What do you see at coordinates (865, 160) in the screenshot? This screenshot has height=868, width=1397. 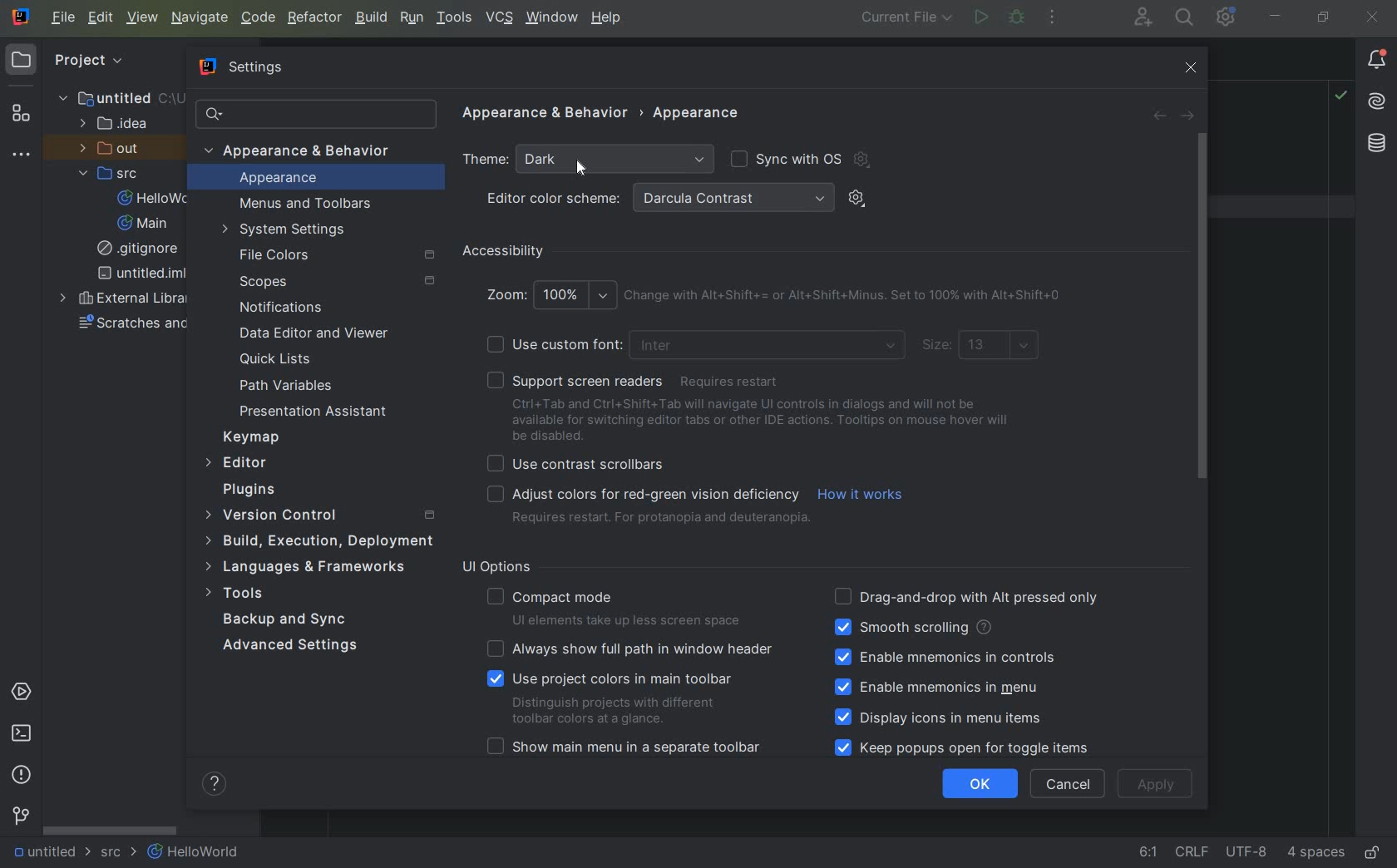 I see `SHOW SCHEME ACTIONS` at bounding box center [865, 160].